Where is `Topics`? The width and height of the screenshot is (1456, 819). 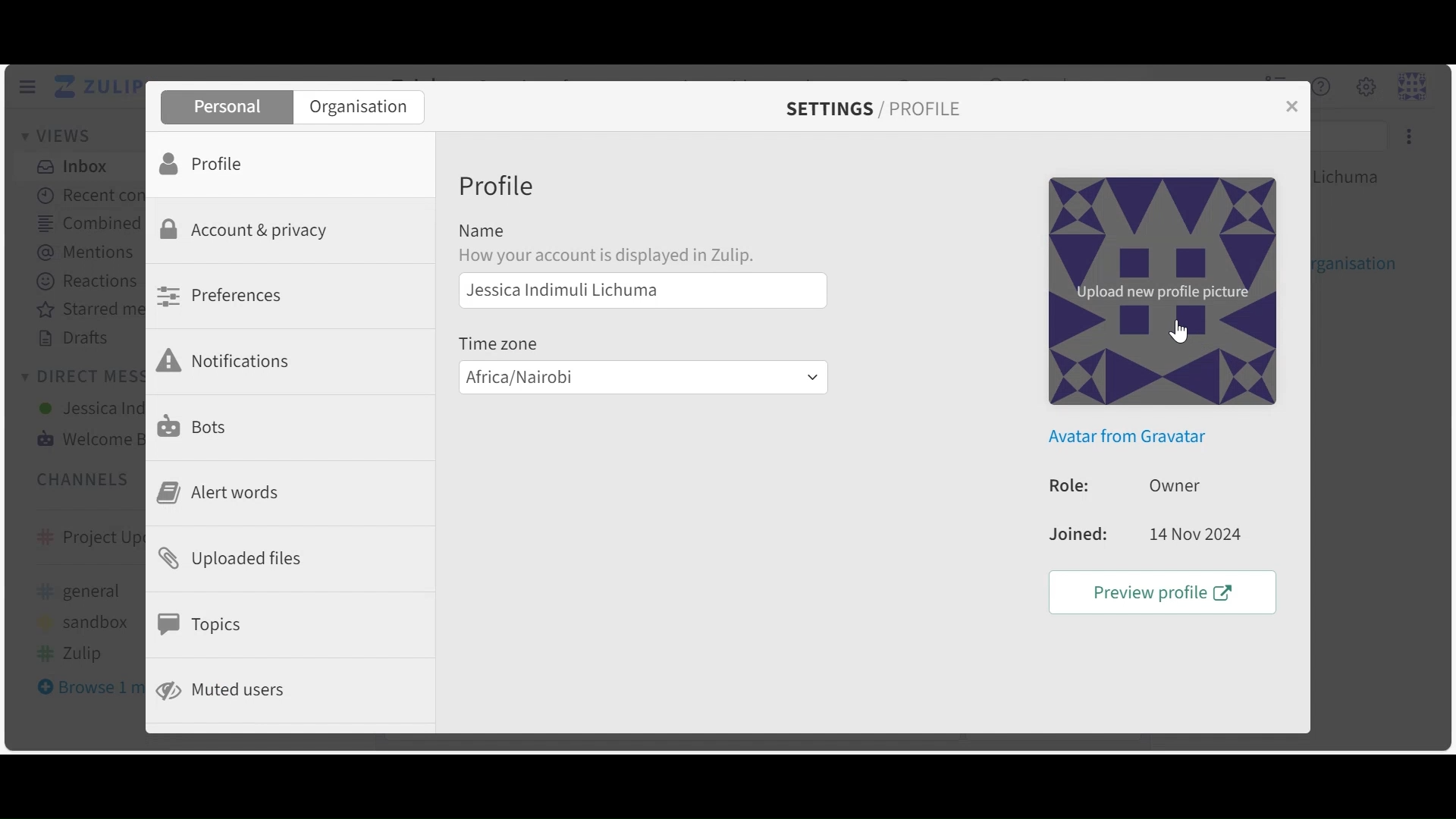
Topics is located at coordinates (204, 622).